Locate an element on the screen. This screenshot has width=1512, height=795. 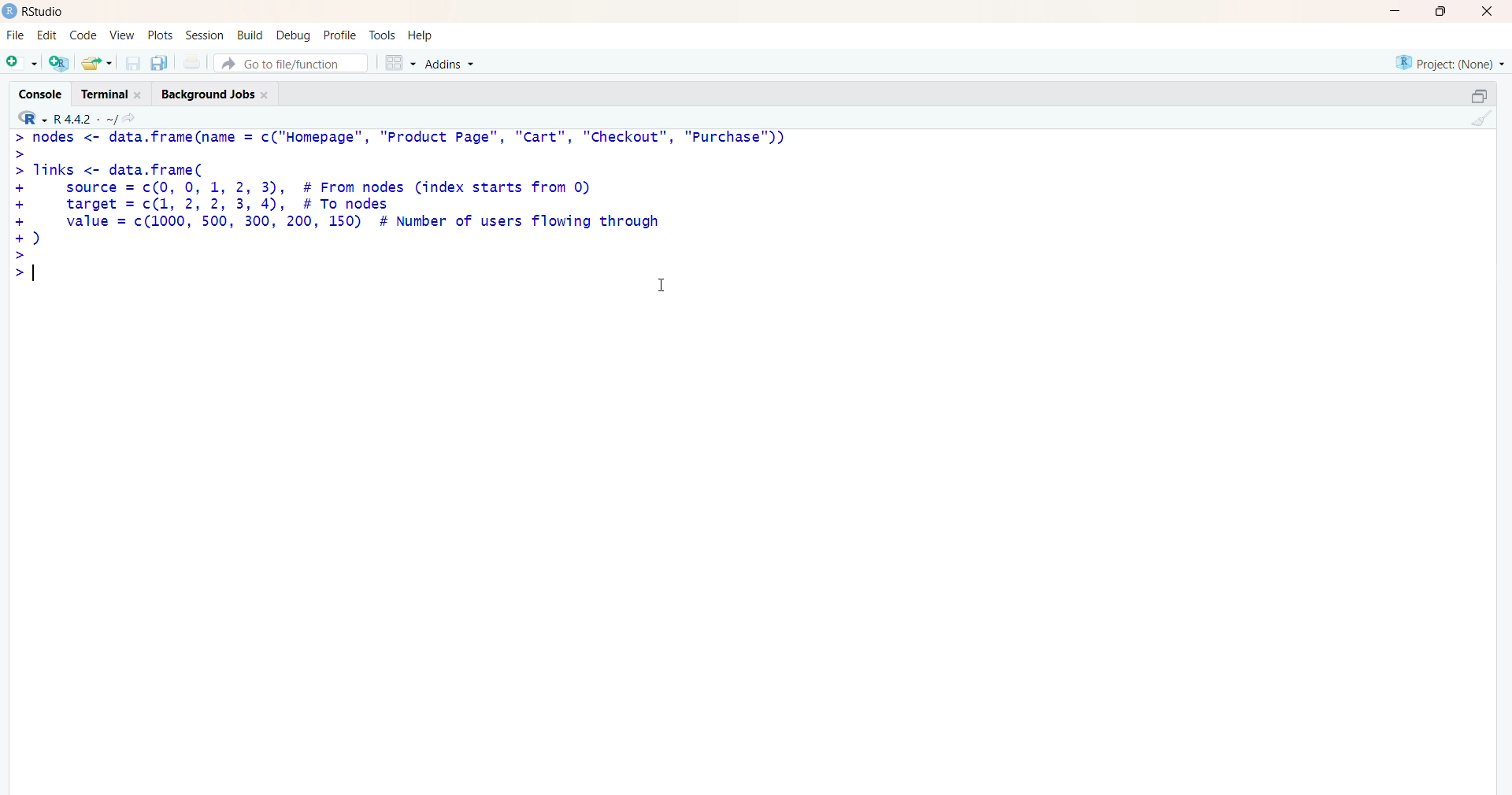
open file is located at coordinates (97, 64).